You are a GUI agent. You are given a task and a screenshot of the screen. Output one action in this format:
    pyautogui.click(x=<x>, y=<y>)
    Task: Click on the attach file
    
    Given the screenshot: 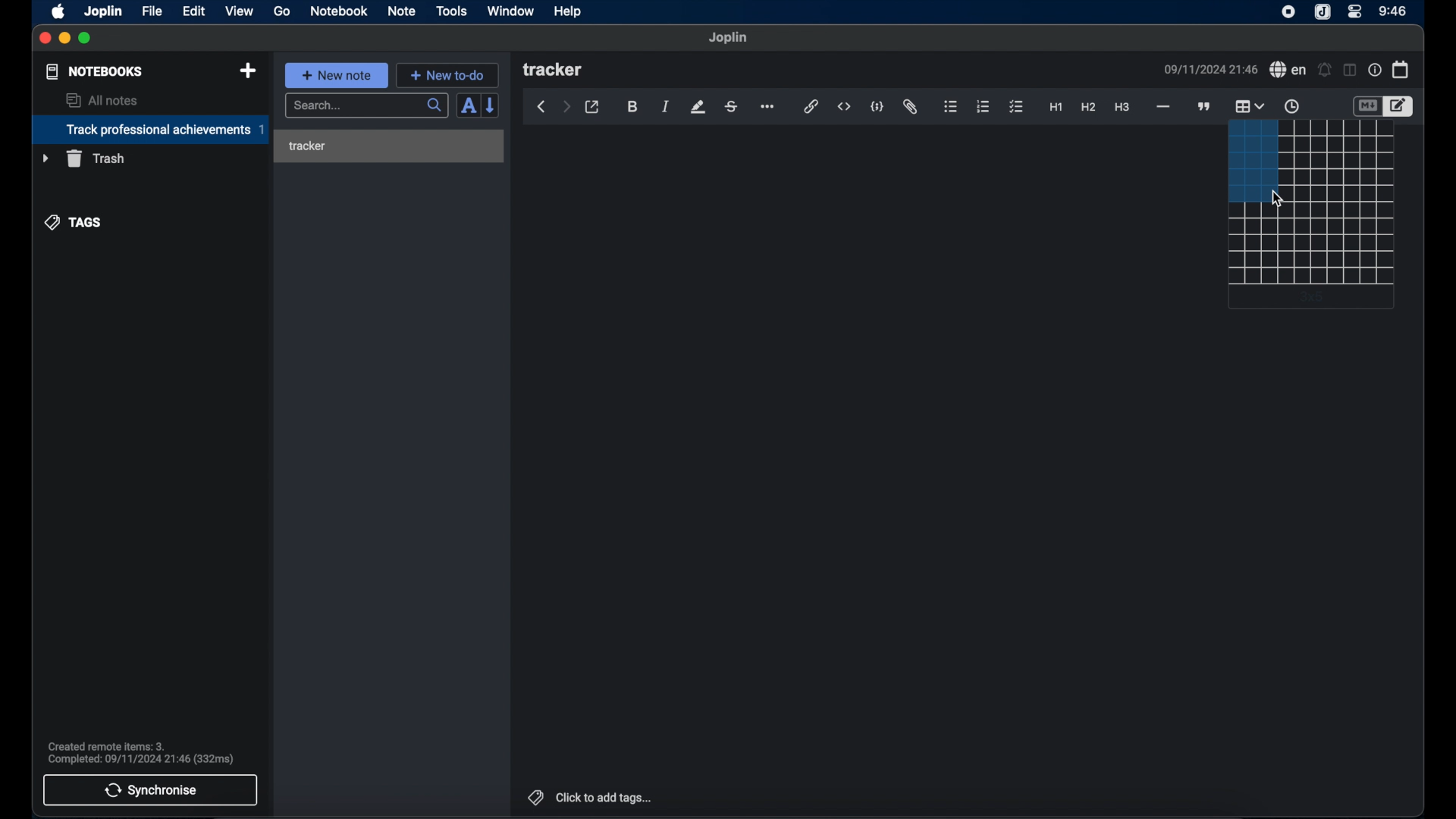 What is the action you would take?
    pyautogui.click(x=912, y=108)
    